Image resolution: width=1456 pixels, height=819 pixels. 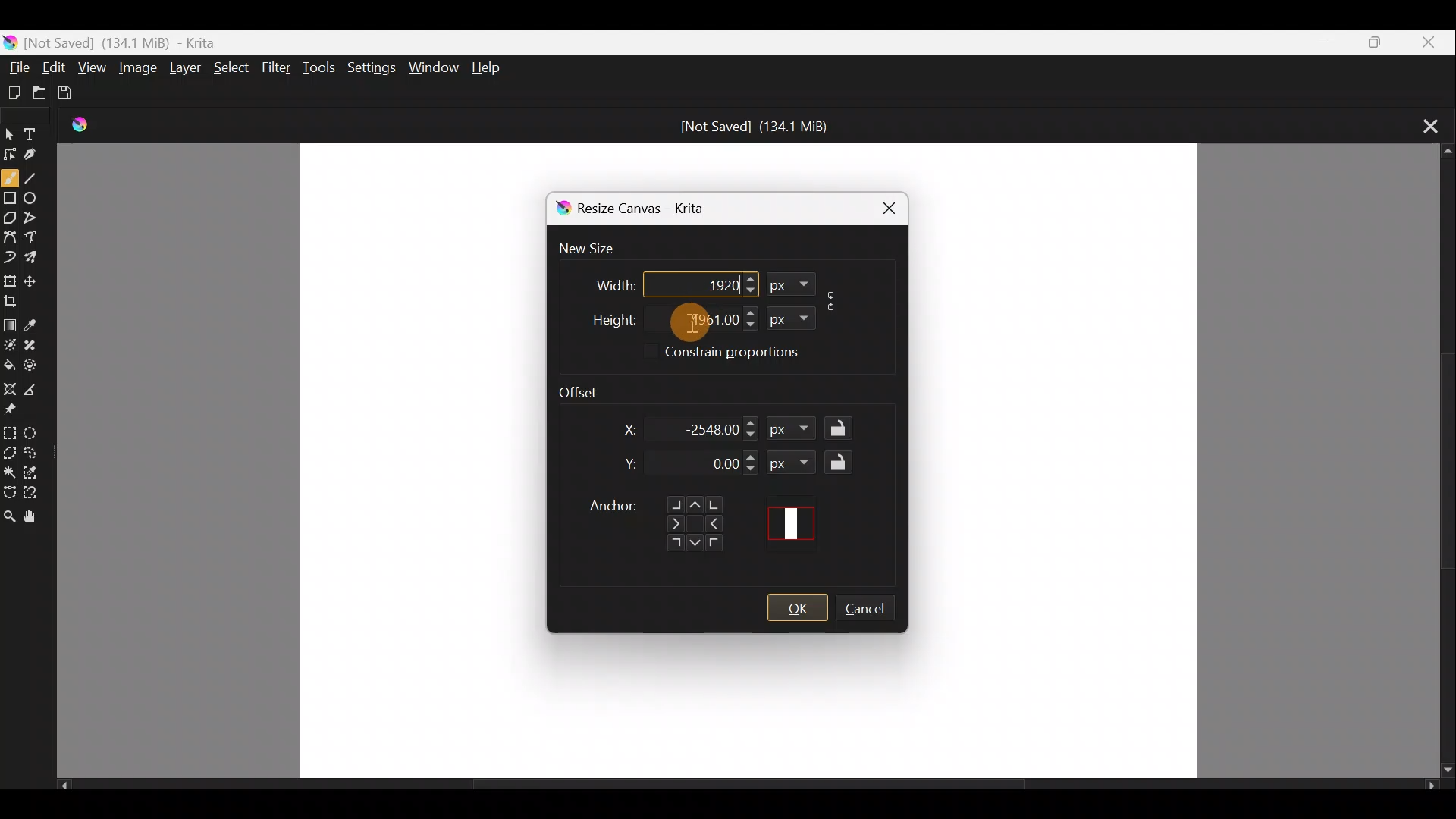 I want to click on Select shapes tool, so click(x=11, y=130).